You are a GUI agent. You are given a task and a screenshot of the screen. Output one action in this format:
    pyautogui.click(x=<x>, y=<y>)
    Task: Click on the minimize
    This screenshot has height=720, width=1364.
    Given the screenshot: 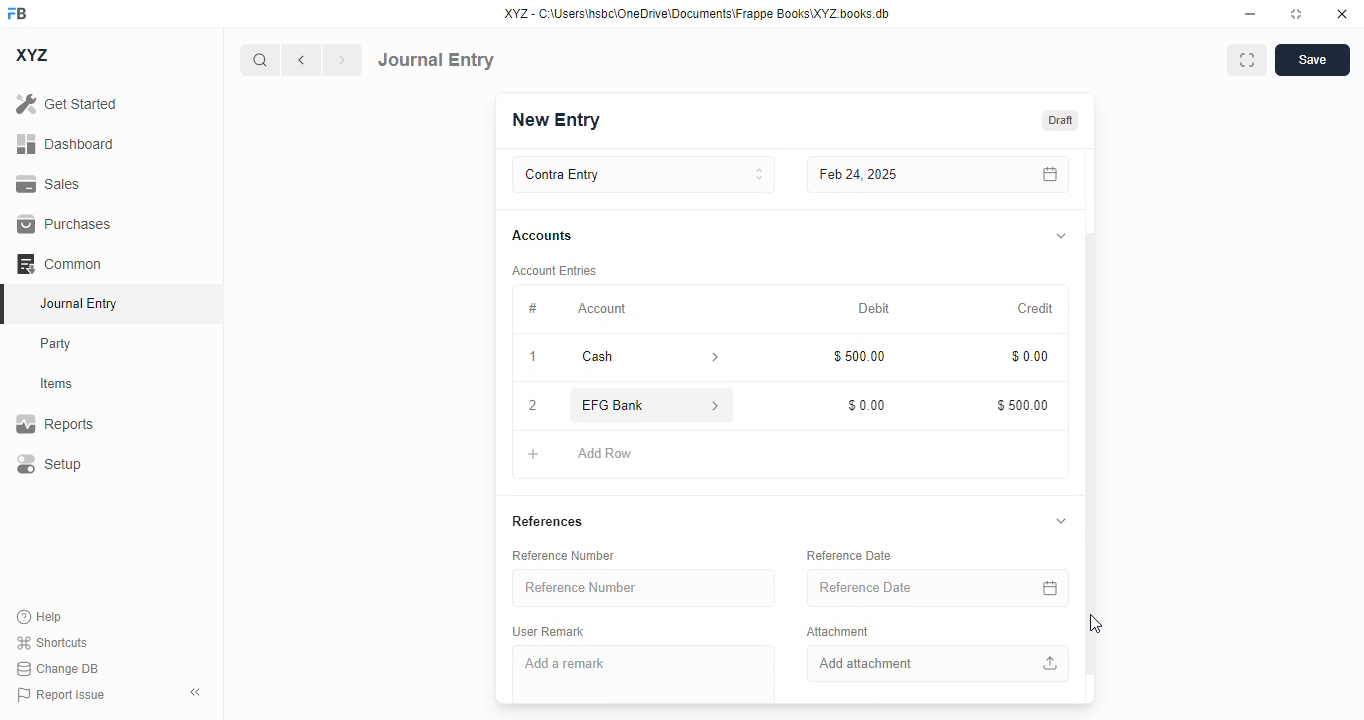 What is the action you would take?
    pyautogui.click(x=1251, y=14)
    